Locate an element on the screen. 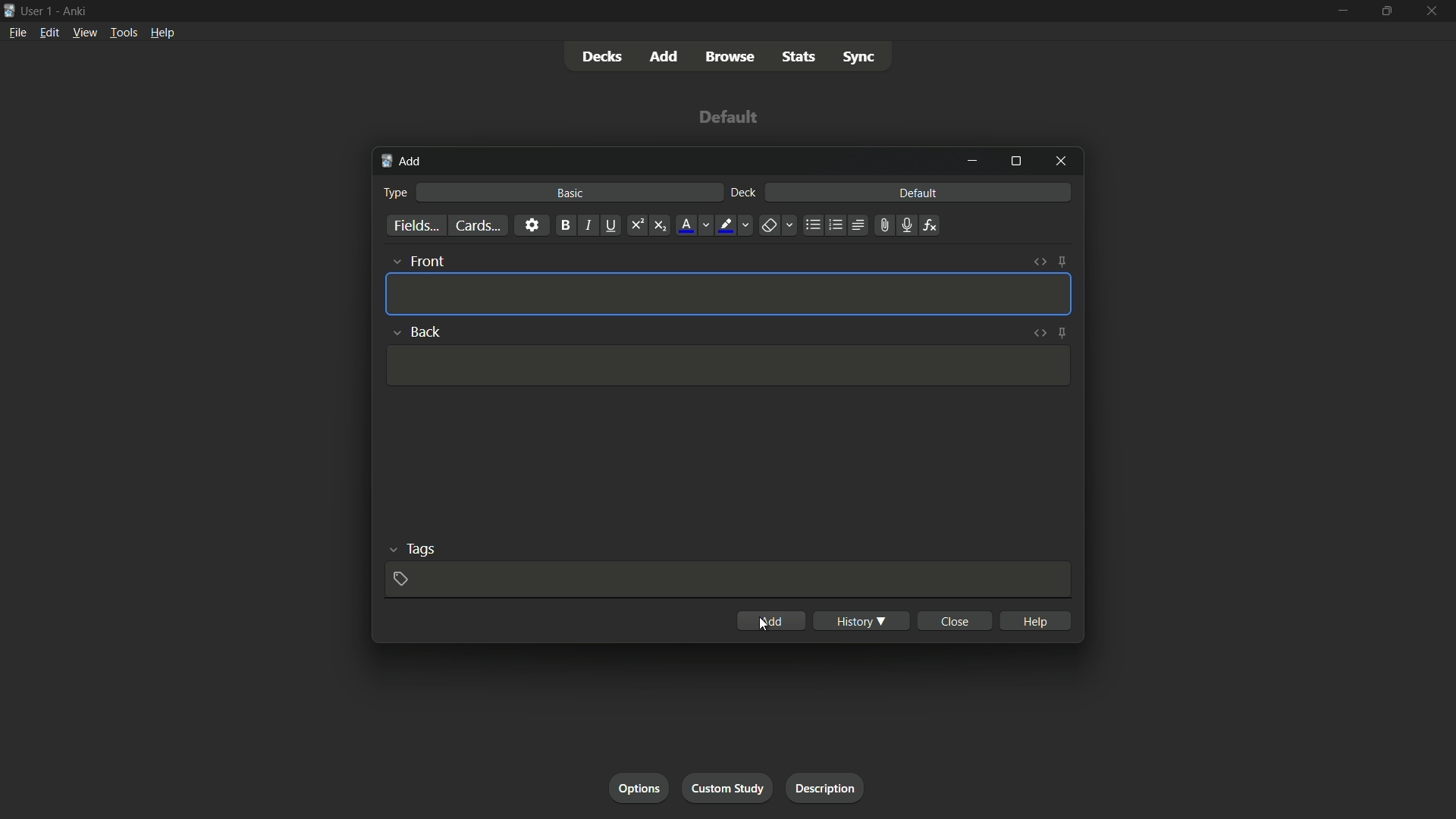 This screenshot has height=819, width=1456. close is located at coordinates (955, 620).